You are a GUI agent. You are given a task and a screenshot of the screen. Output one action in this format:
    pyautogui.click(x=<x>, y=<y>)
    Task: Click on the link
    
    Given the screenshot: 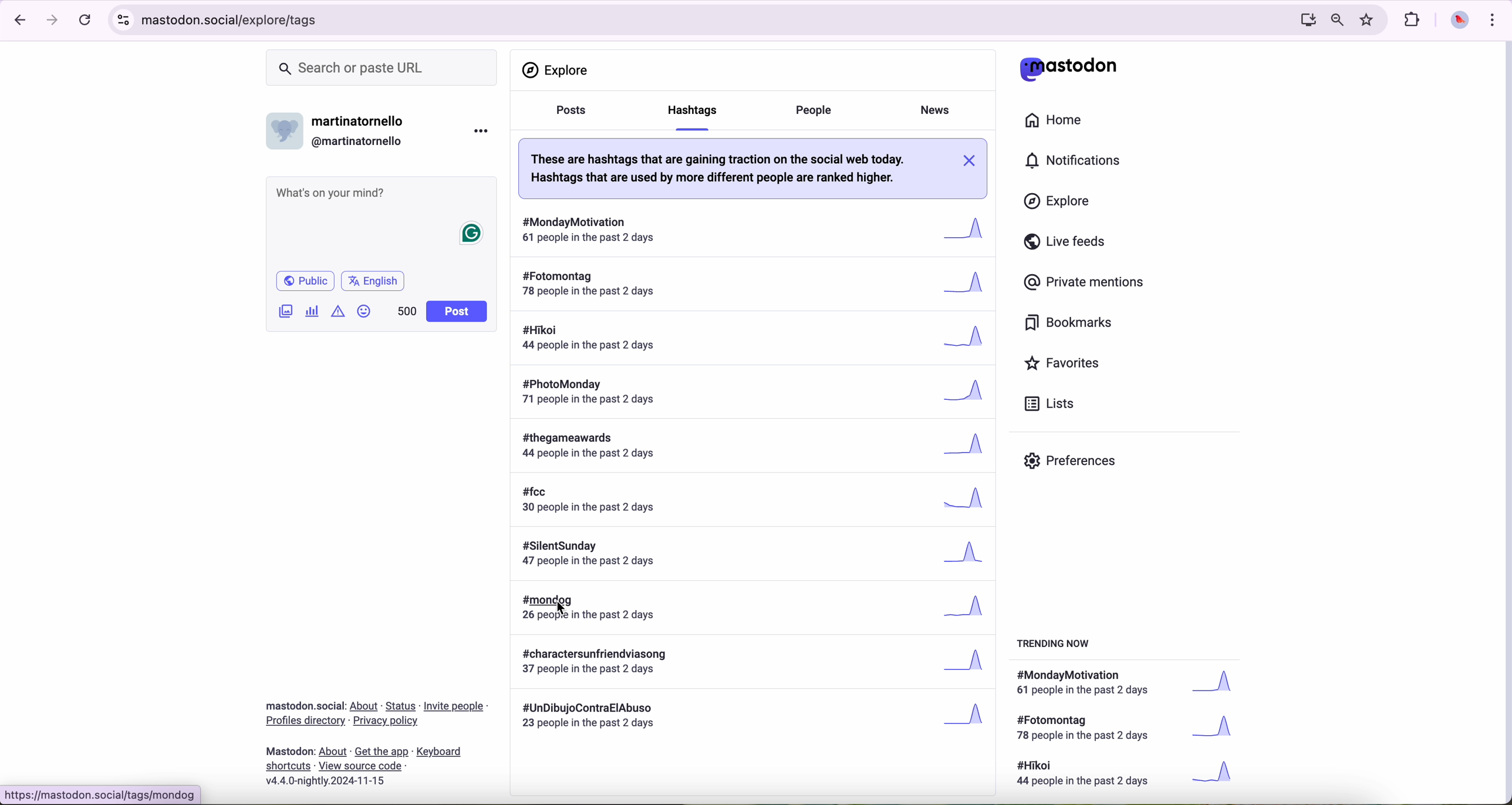 What is the action you would take?
    pyautogui.click(x=439, y=753)
    